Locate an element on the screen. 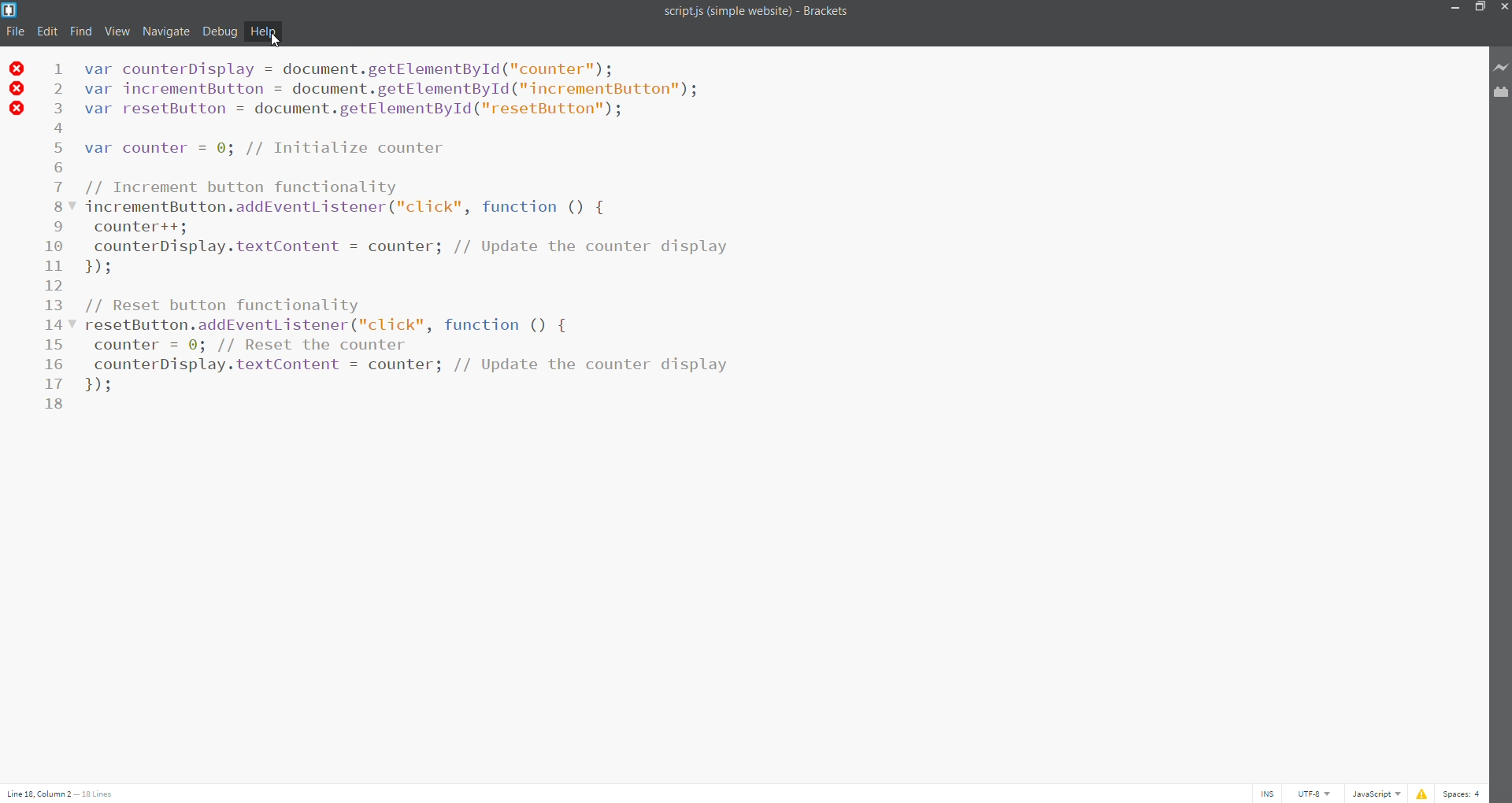 The width and height of the screenshot is (1512, 803). ins is located at coordinates (1267, 791).